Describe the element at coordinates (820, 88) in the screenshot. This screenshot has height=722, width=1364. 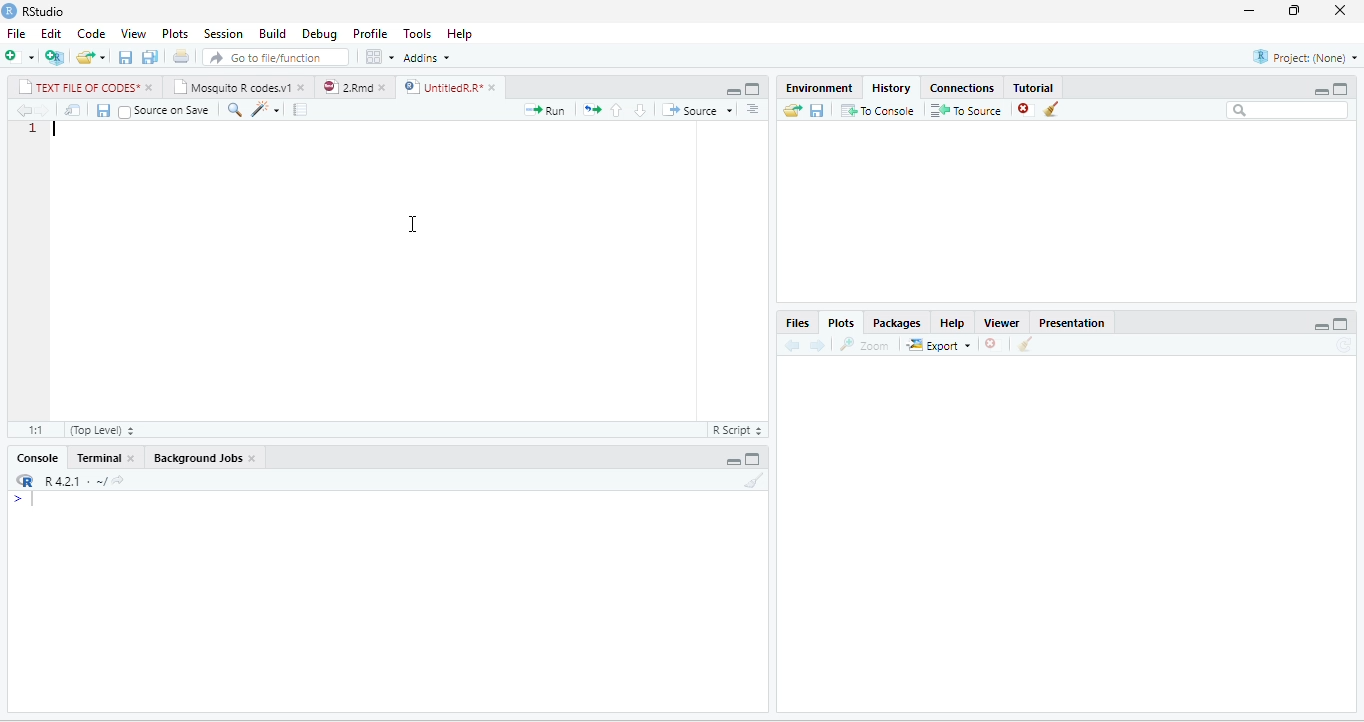
I see `Environment` at that location.